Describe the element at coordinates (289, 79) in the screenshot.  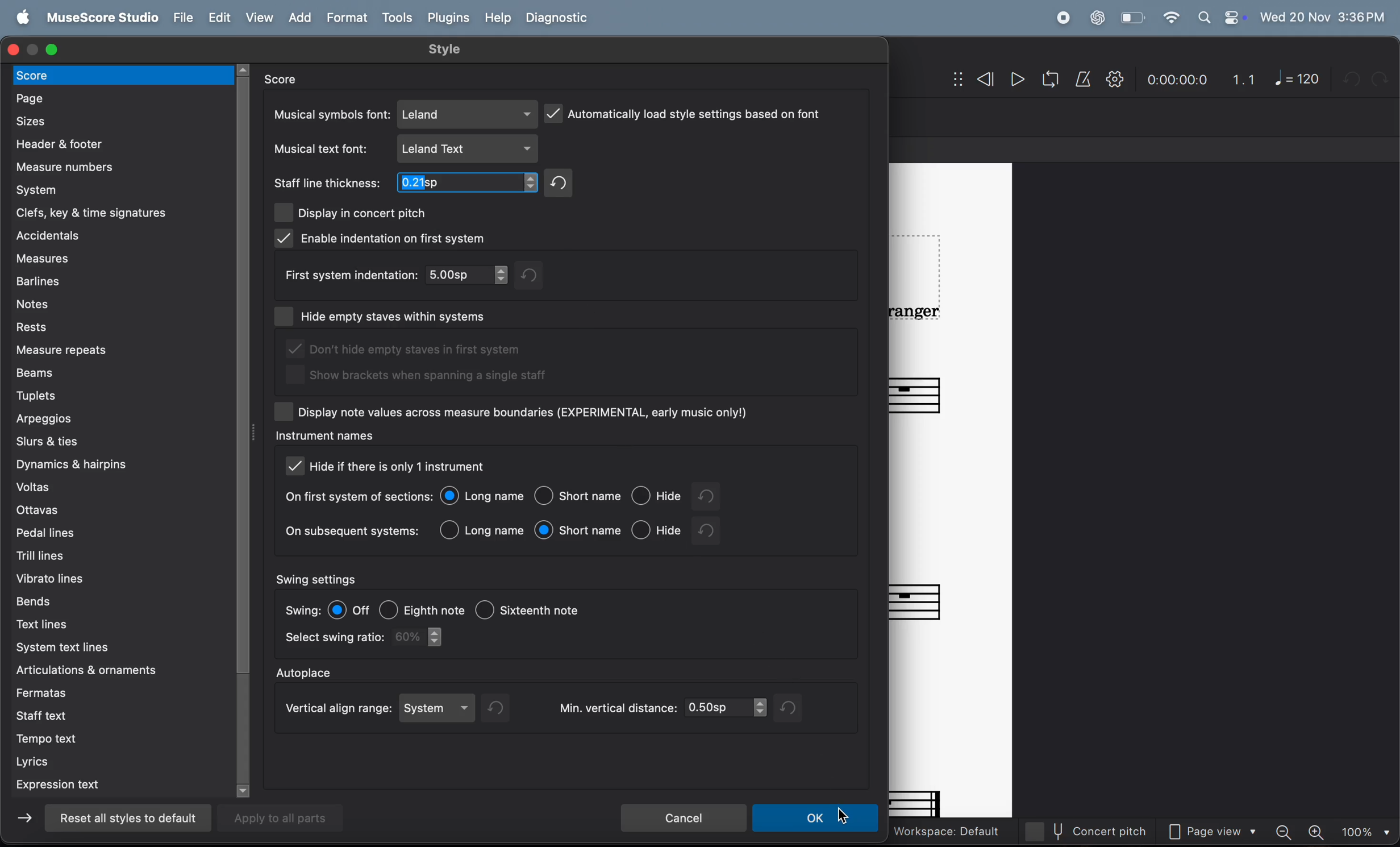
I see `score` at that location.